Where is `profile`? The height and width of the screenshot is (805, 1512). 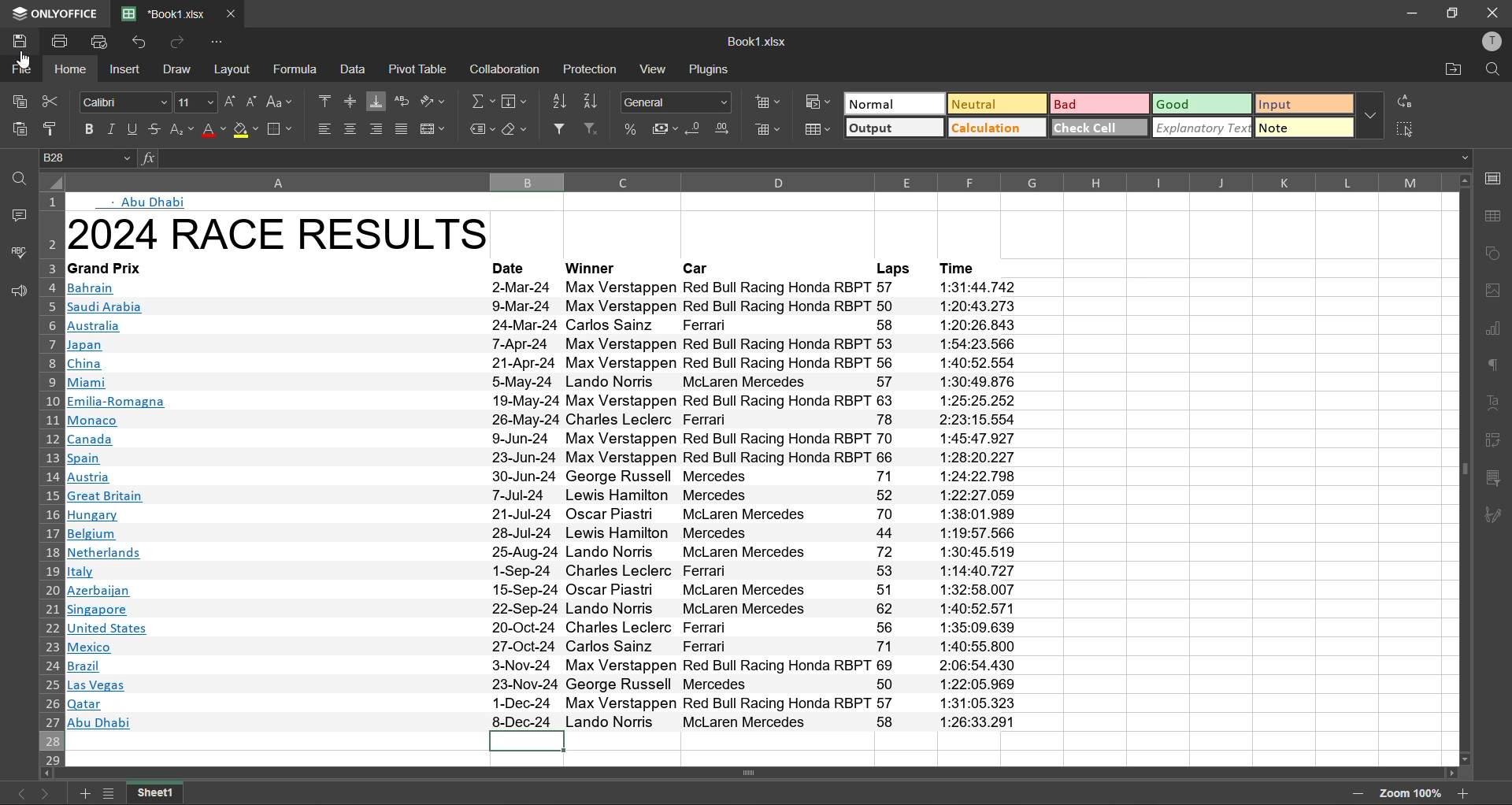
profile is located at coordinates (1494, 39).